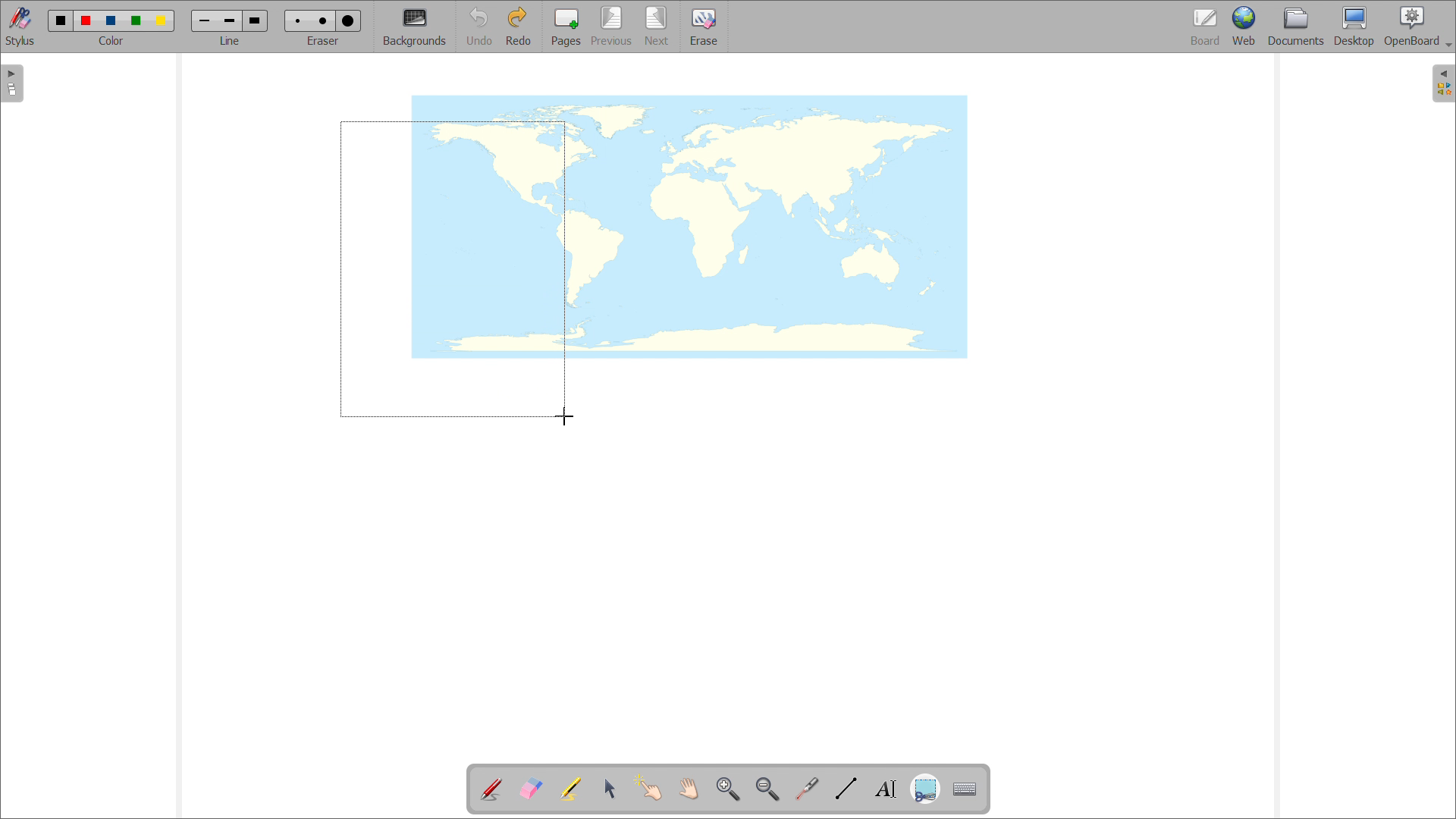 Image resolution: width=1456 pixels, height=819 pixels. I want to click on cursor, so click(566, 419).